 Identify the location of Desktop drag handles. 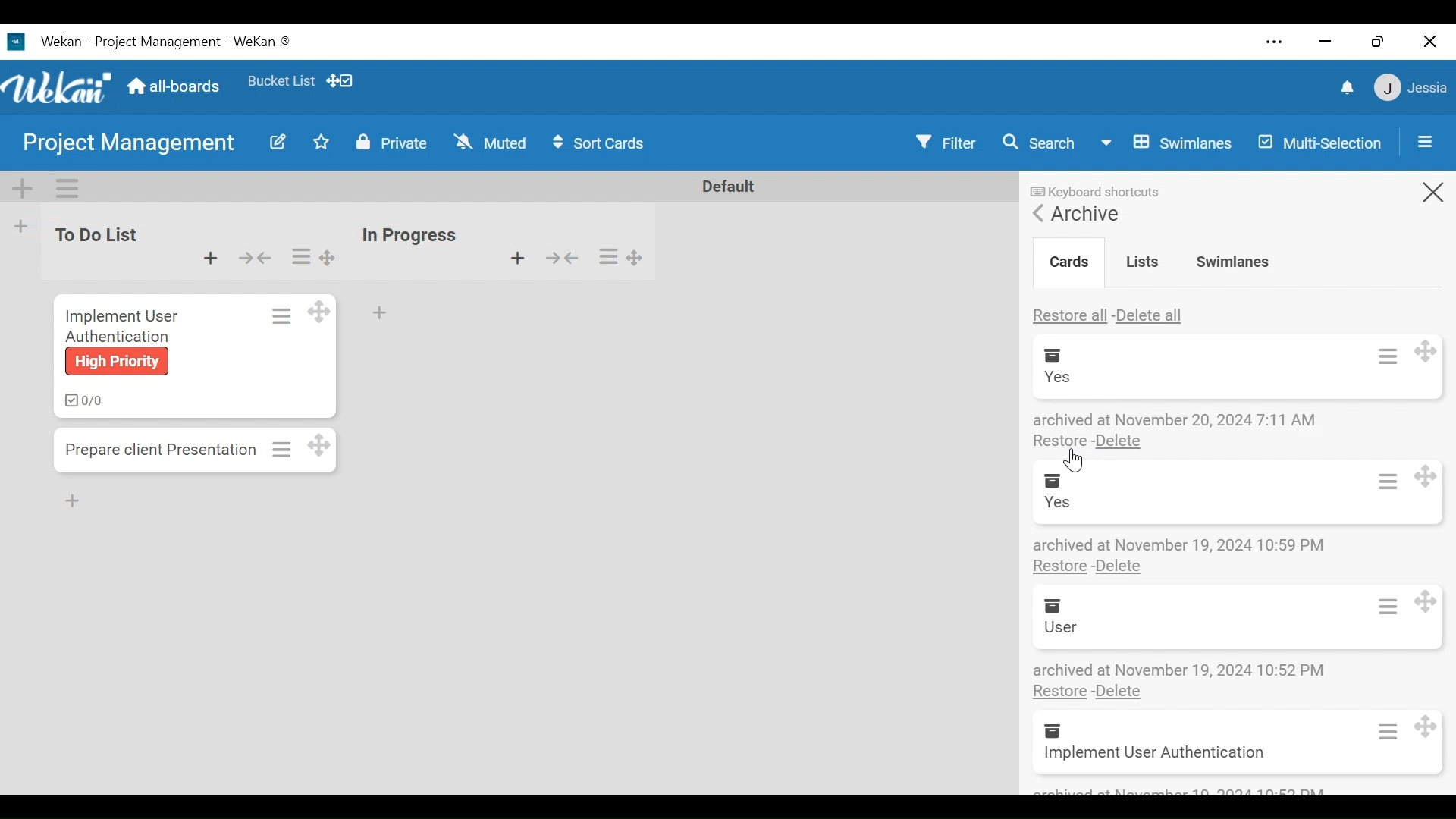
(1434, 727).